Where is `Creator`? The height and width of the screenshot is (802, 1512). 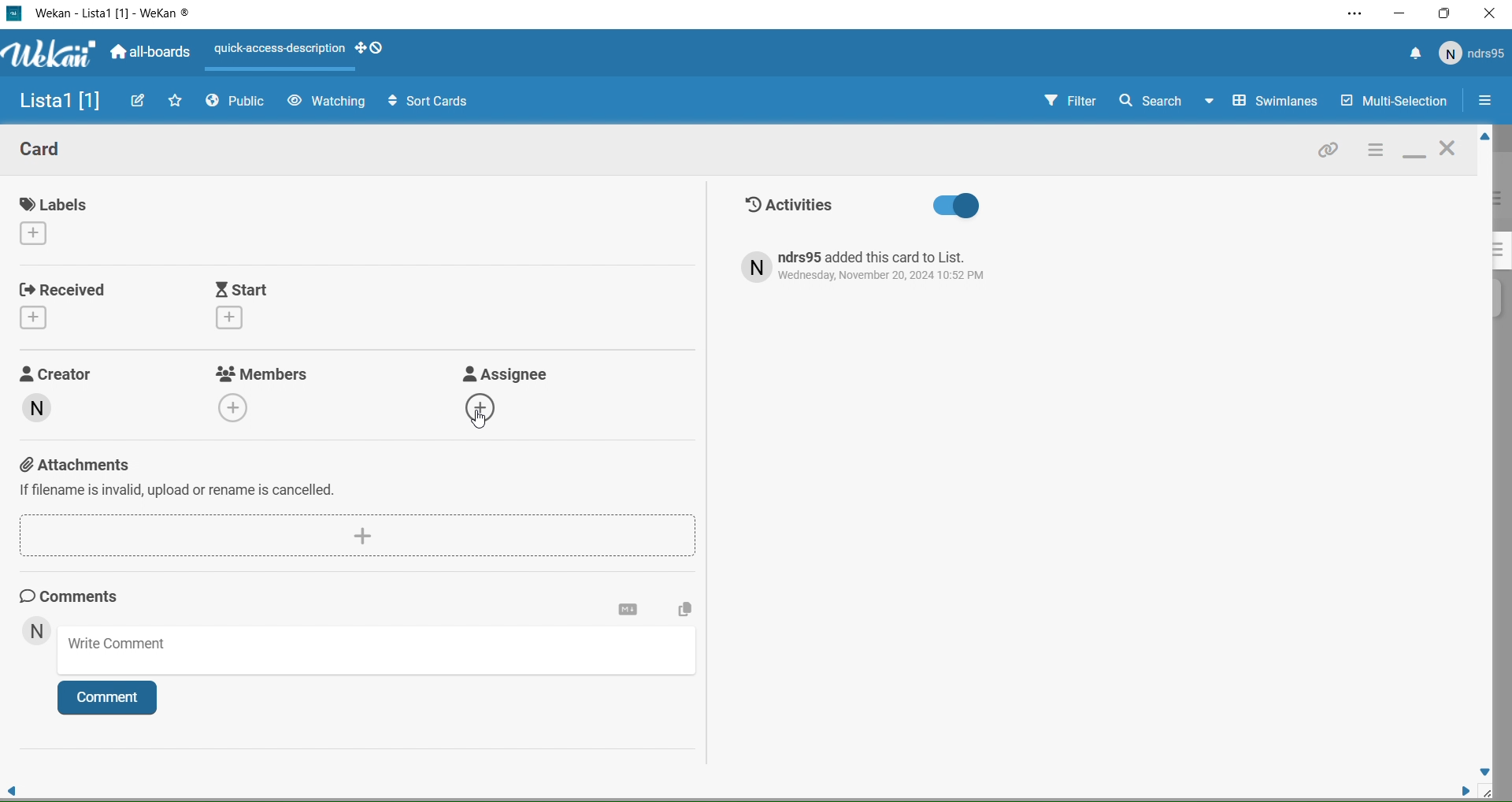
Creator is located at coordinates (73, 403).